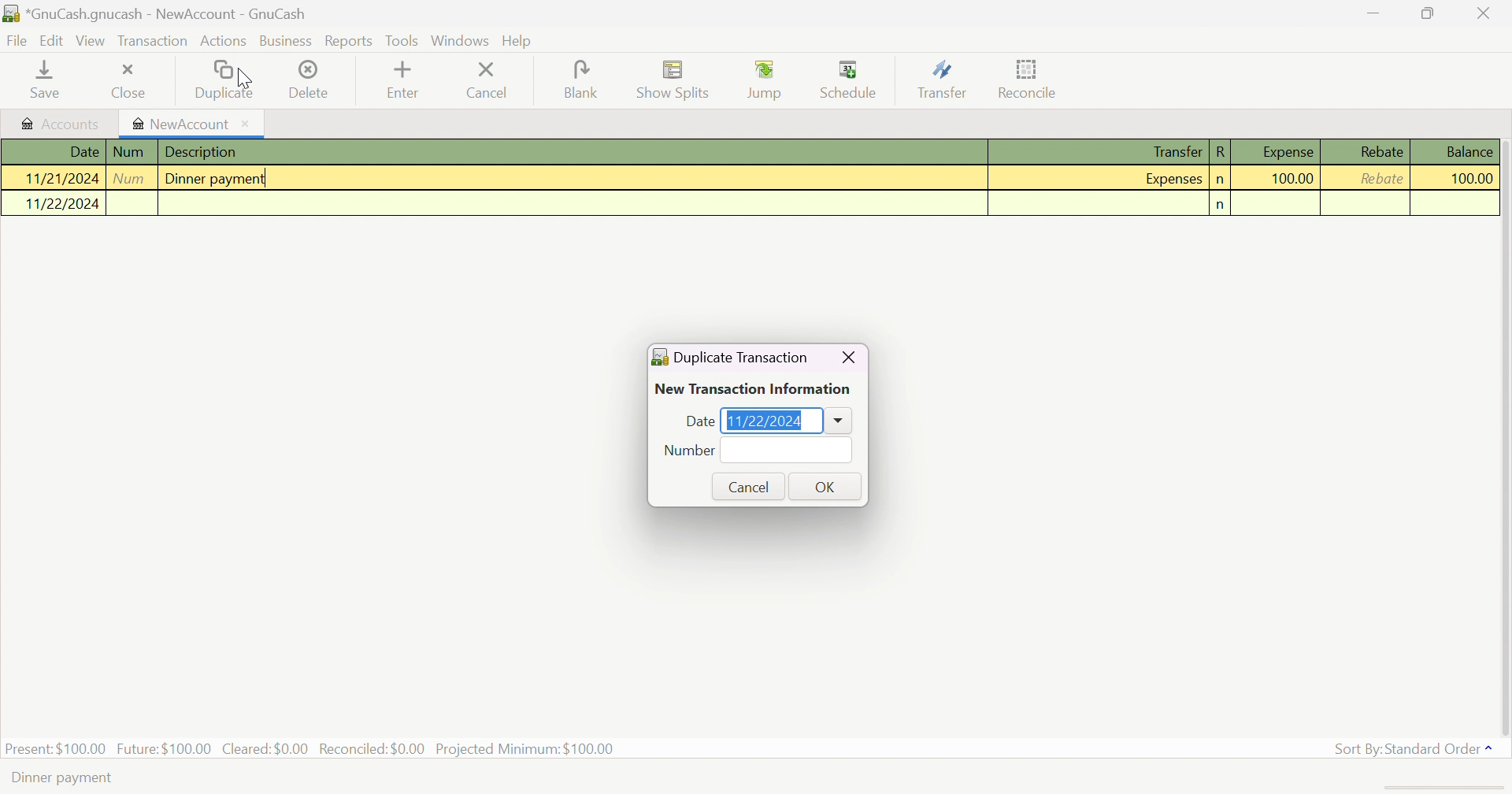 This screenshot has height=794, width=1512. Describe the element at coordinates (206, 153) in the screenshot. I see `Description` at that location.